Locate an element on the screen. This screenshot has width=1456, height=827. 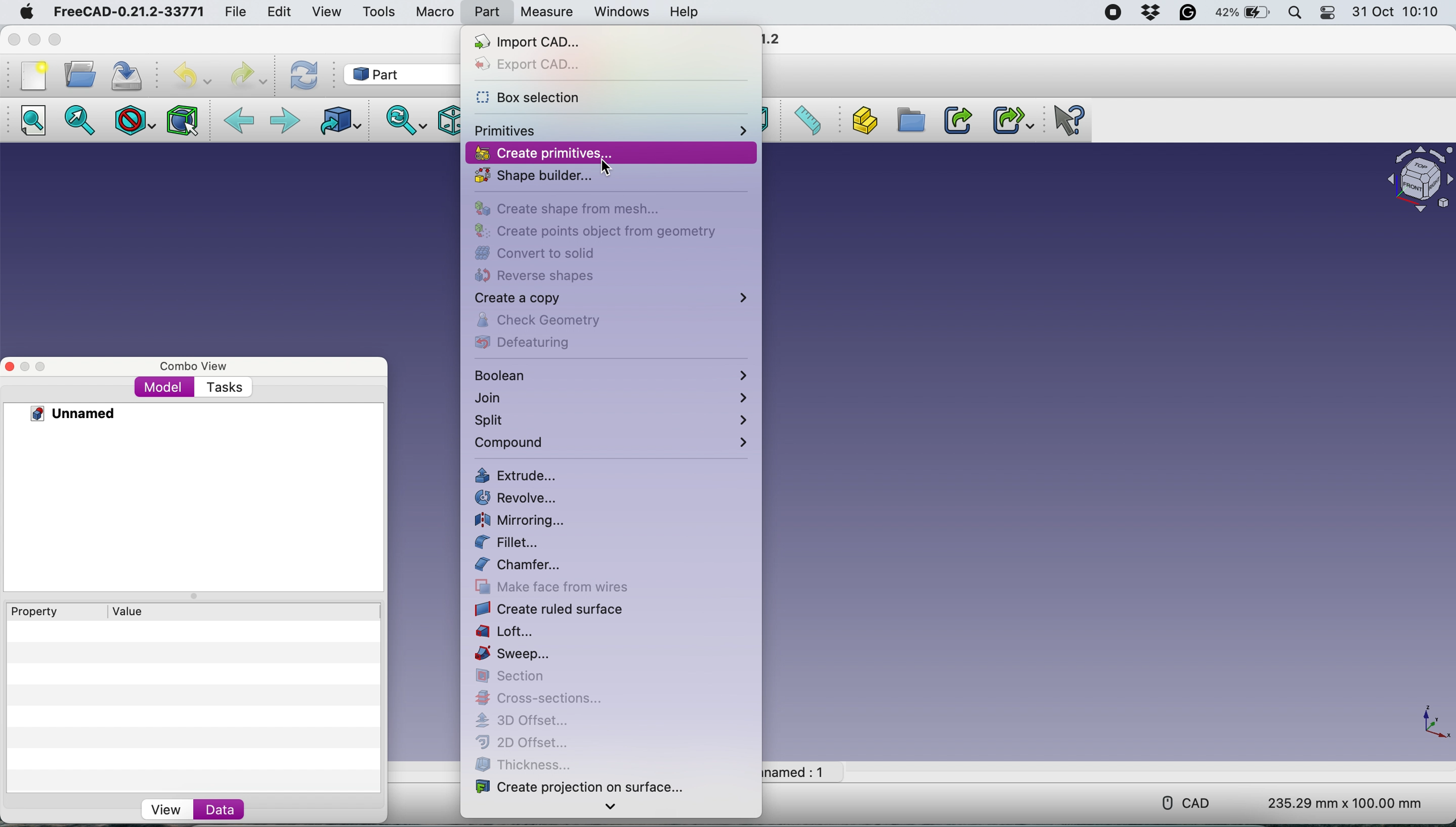
Part is located at coordinates (488, 11).